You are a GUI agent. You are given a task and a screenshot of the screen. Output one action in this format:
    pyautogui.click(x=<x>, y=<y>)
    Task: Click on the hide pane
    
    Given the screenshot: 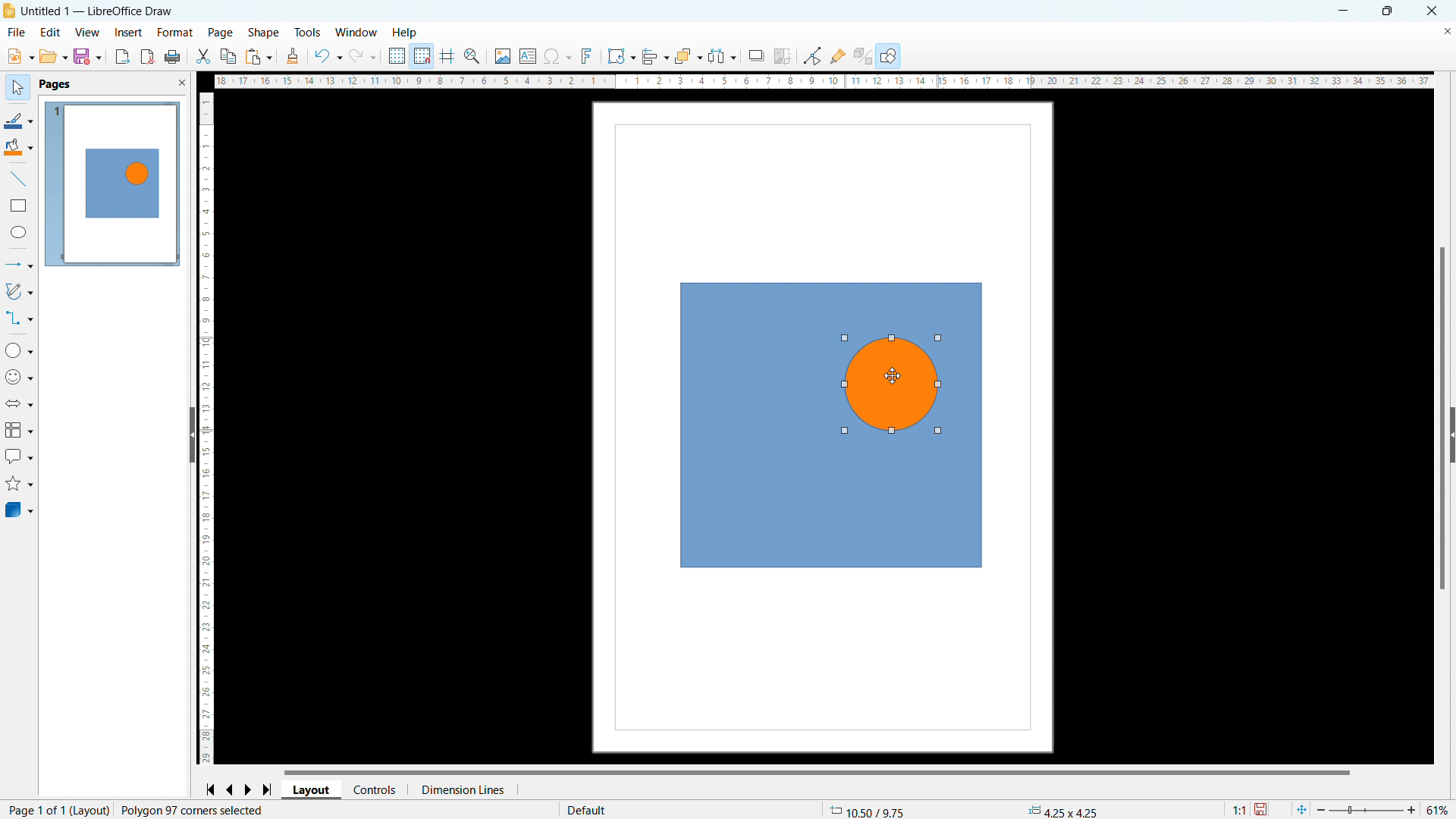 What is the action you would take?
    pyautogui.click(x=192, y=435)
    